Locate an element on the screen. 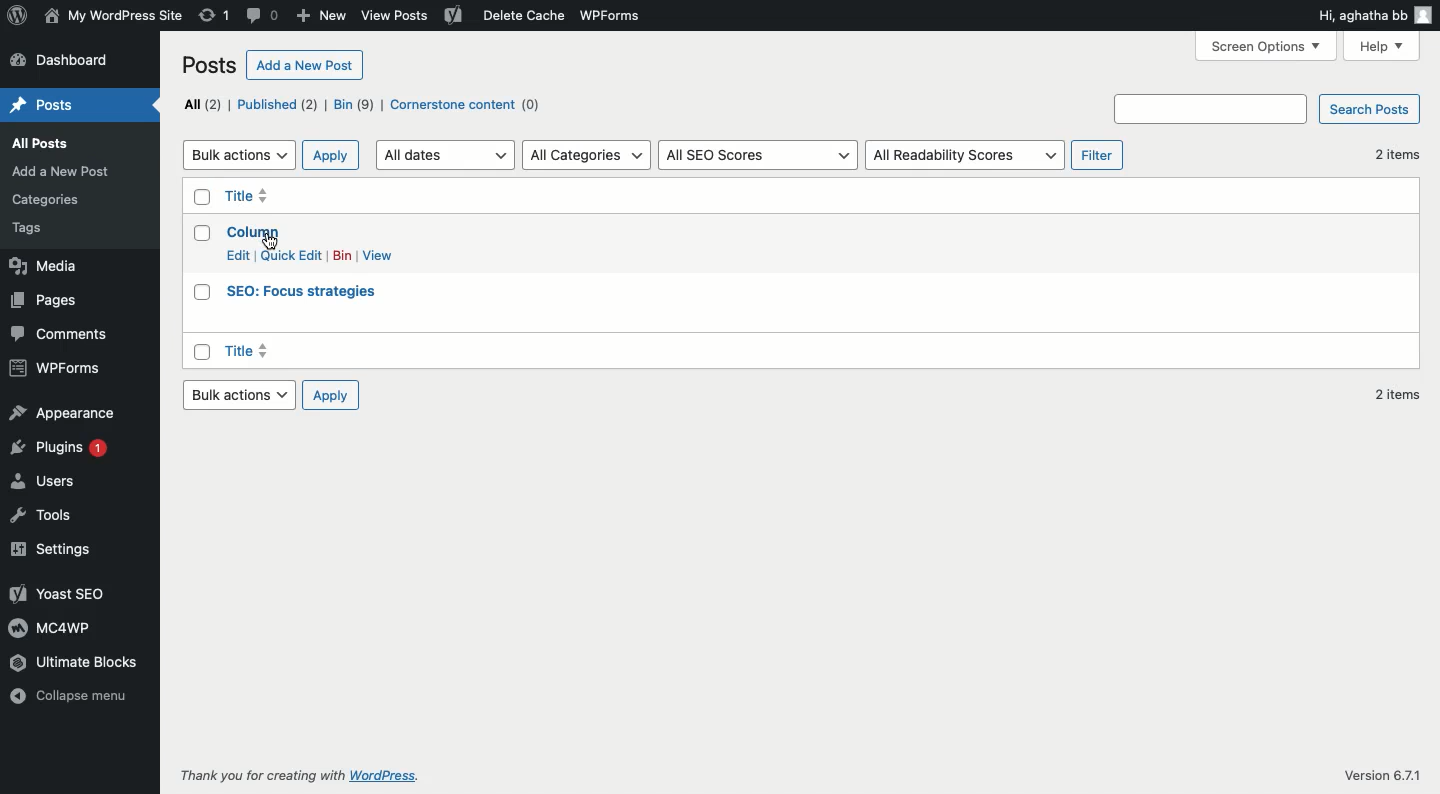  All is located at coordinates (201, 103).